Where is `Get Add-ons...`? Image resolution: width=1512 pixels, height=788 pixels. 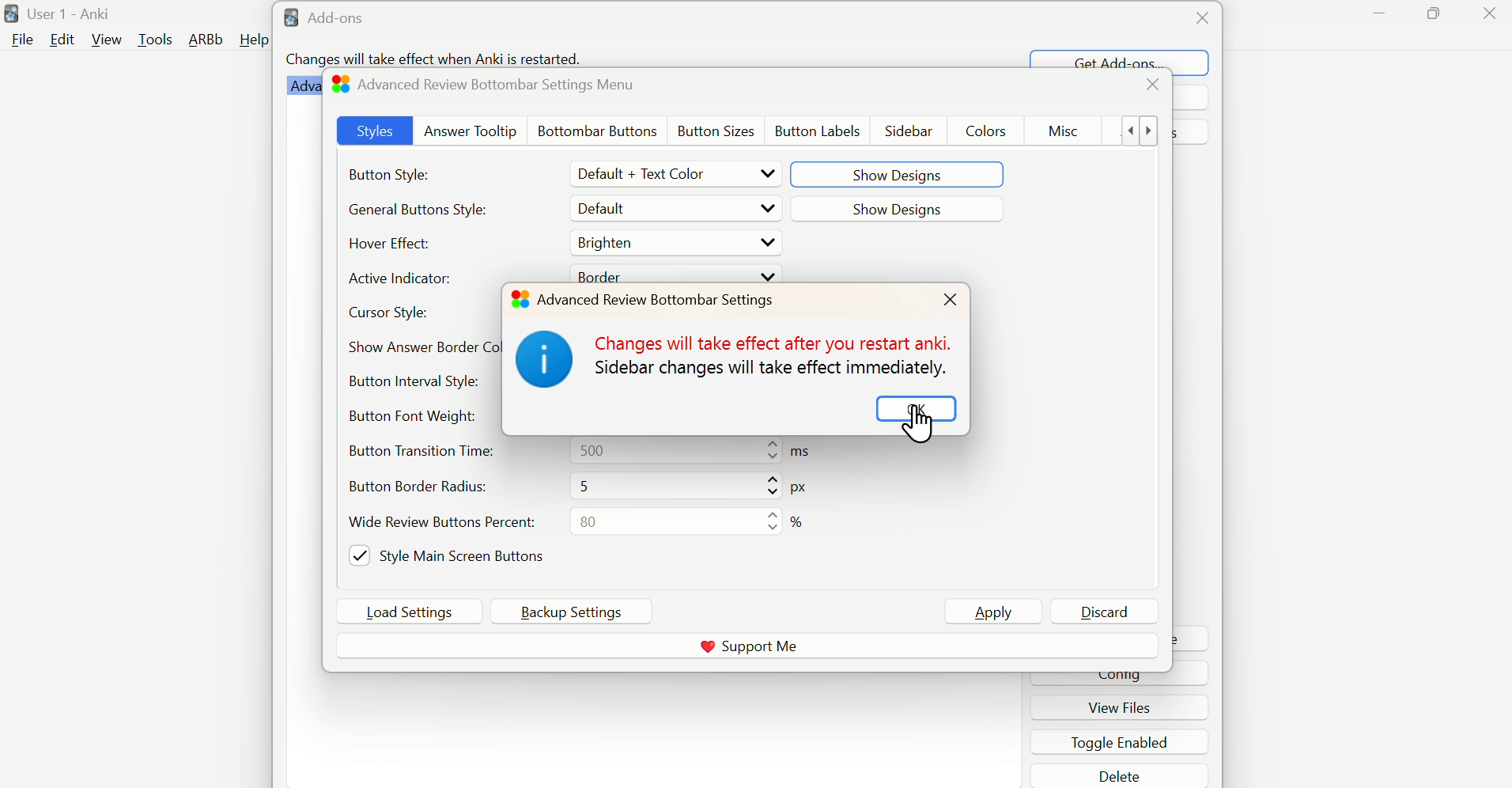
Get Add-ons... is located at coordinates (1114, 63).